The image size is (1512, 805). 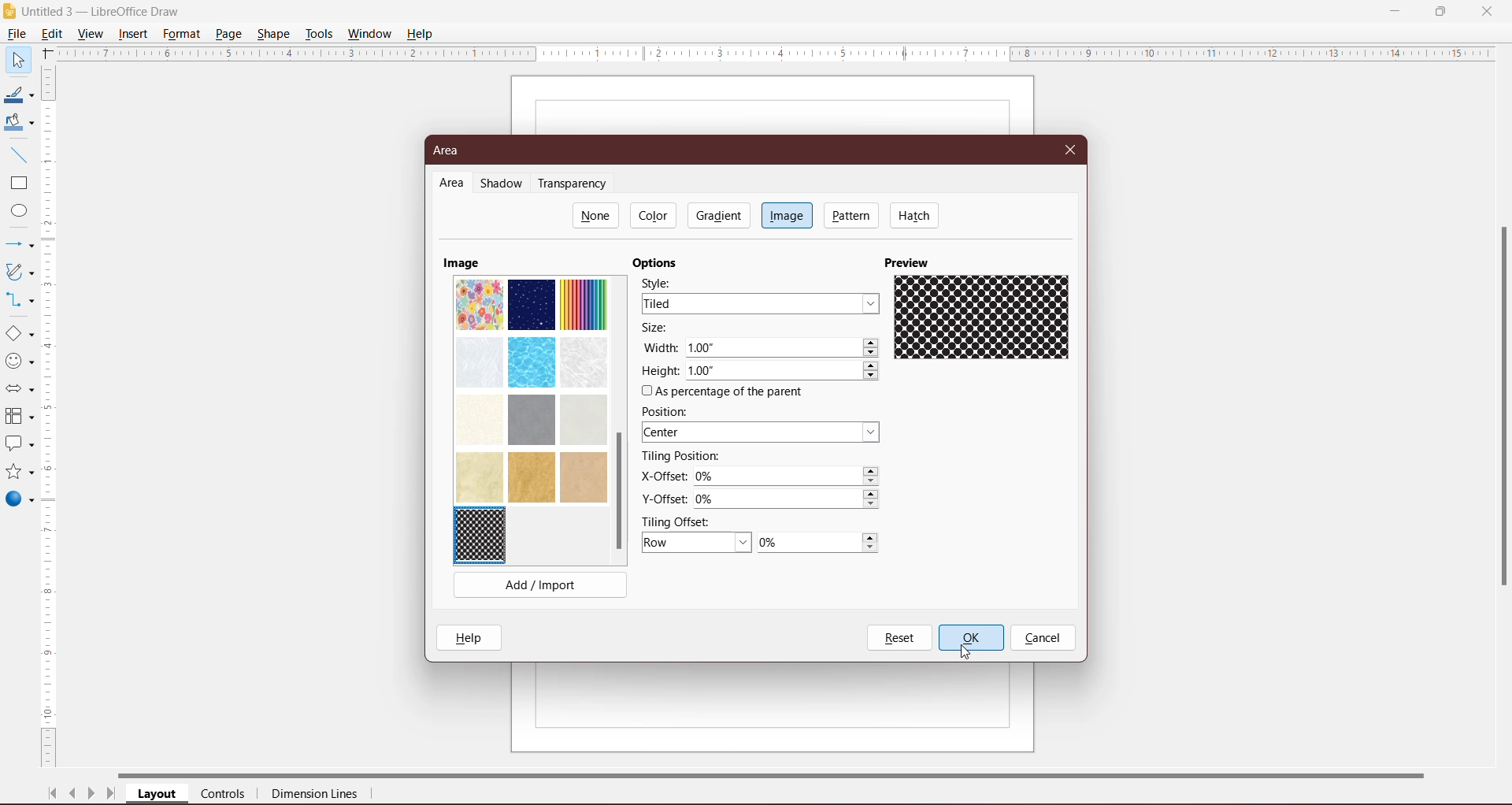 I want to click on Scroll to next page, so click(x=91, y=796).